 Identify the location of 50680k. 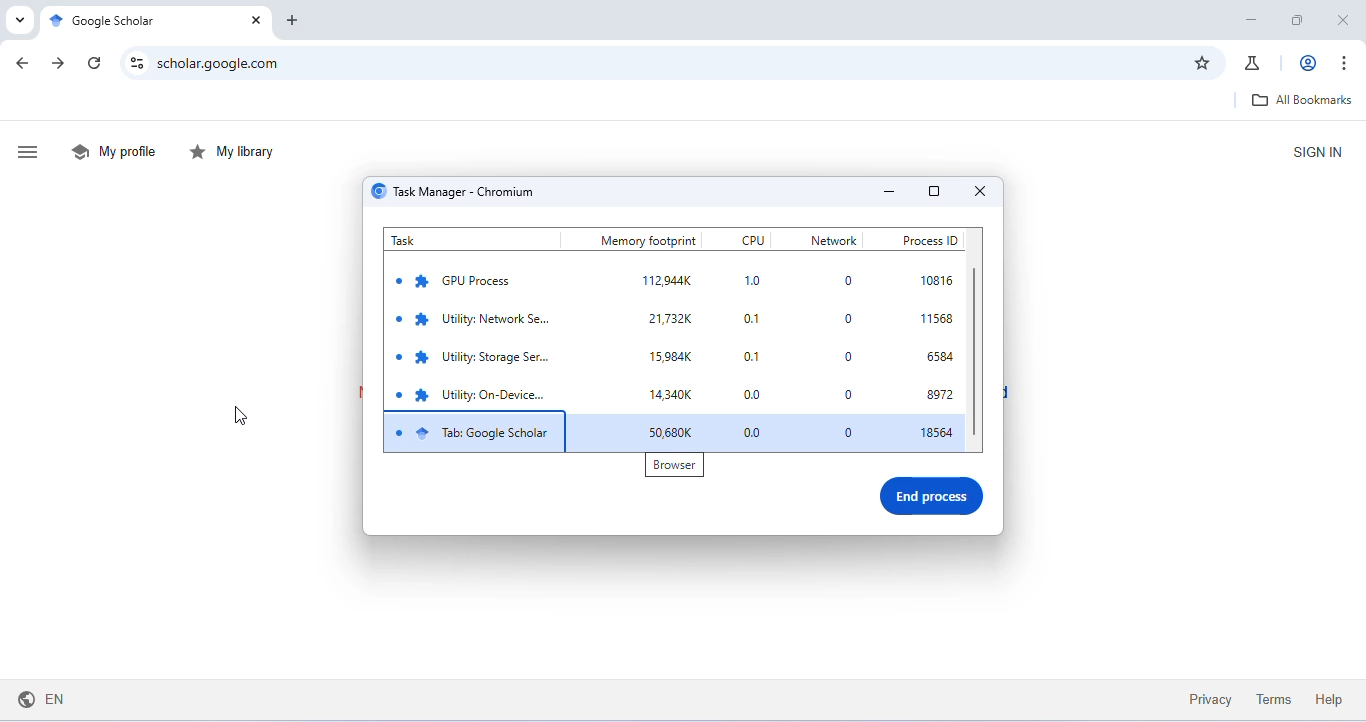
(676, 433).